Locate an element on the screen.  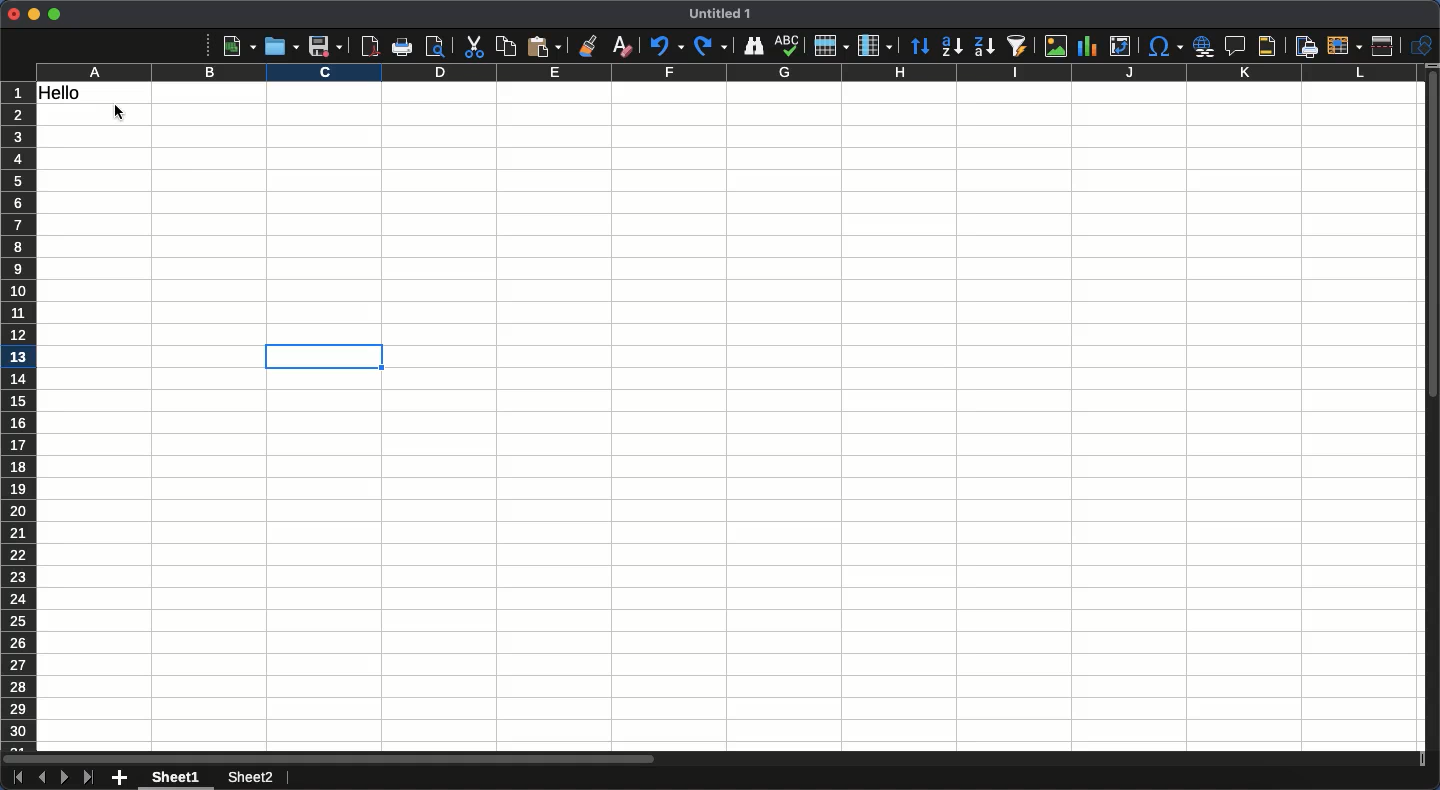
Hyperlink is located at coordinates (1205, 46).